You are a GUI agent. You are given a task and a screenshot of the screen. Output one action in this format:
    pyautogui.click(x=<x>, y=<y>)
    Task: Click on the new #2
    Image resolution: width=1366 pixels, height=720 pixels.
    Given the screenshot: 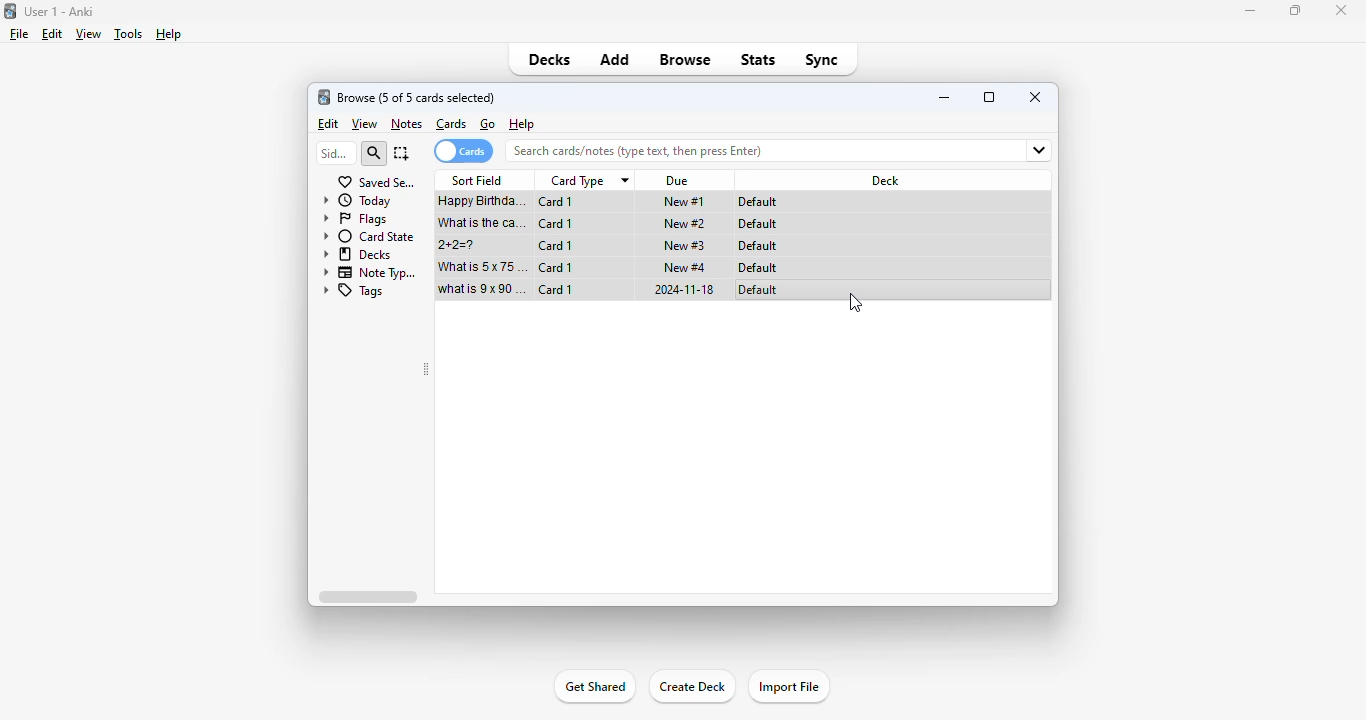 What is the action you would take?
    pyautogui.click(x=685, y=224)
    